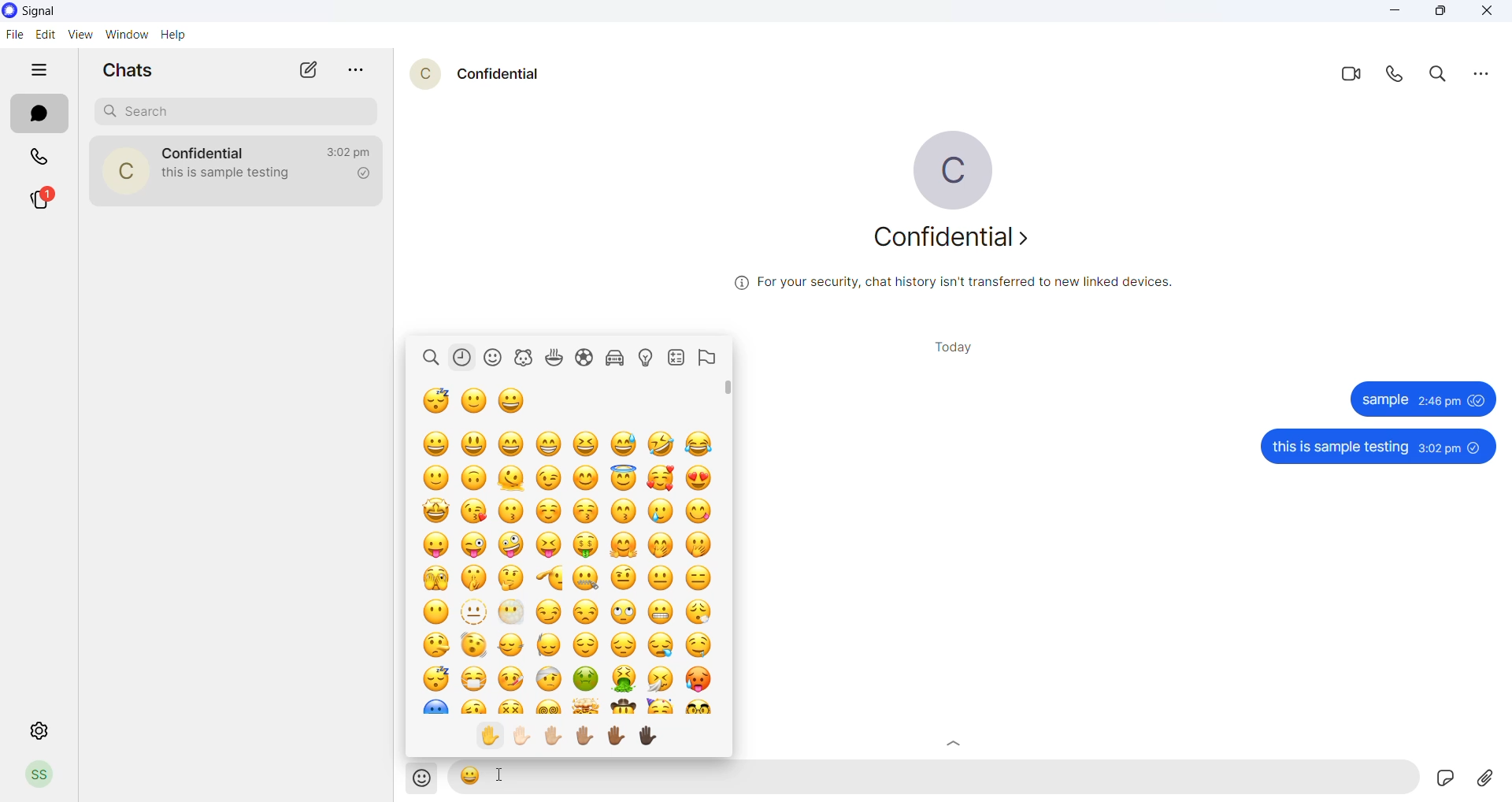 This screenshot has width=1512, height=802. What do you see at coordinates (726, 566) in the screenshot?
I see `scrollbar` at bounding box center [726, 566].